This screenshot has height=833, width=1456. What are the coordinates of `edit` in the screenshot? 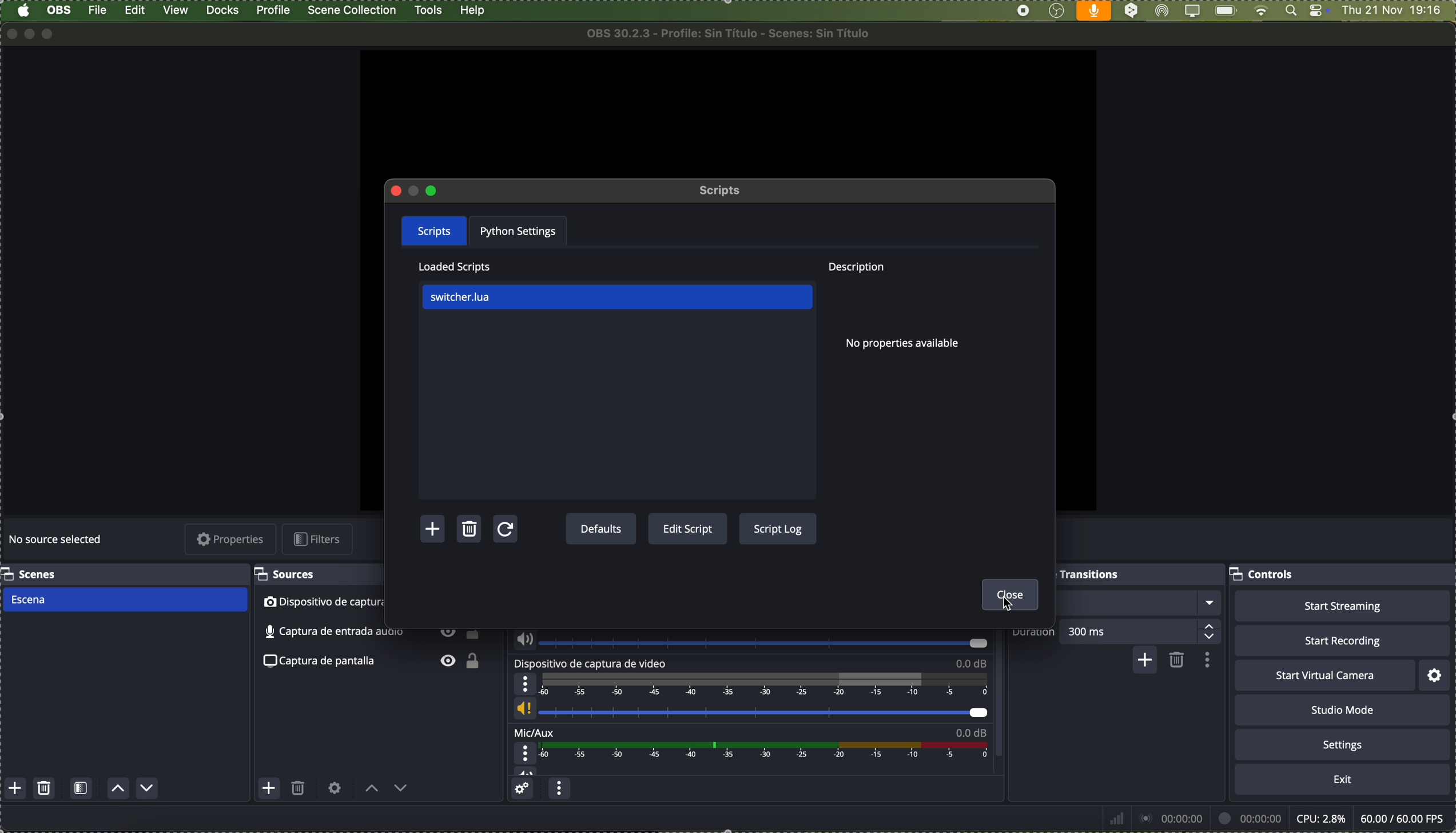 It's located at (135, 11).